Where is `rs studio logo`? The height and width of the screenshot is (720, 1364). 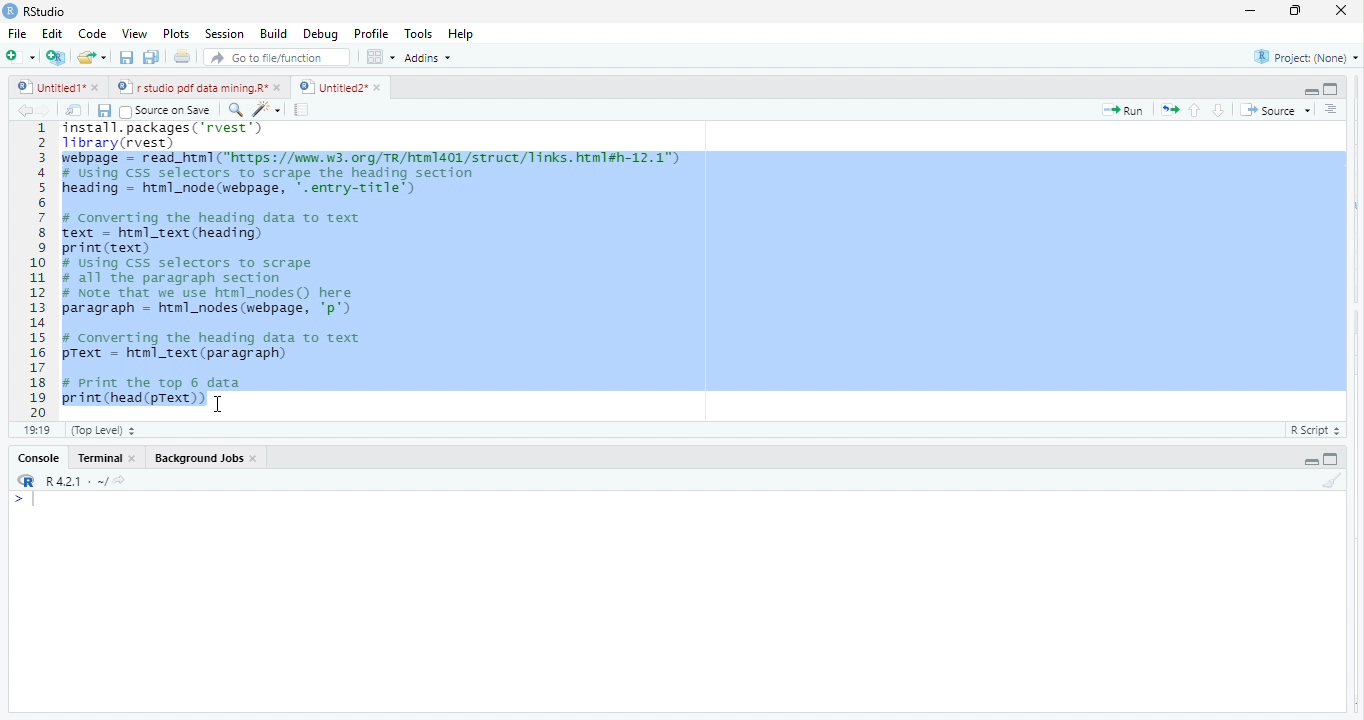
rs studio logo is located at coordinates (10, 10).